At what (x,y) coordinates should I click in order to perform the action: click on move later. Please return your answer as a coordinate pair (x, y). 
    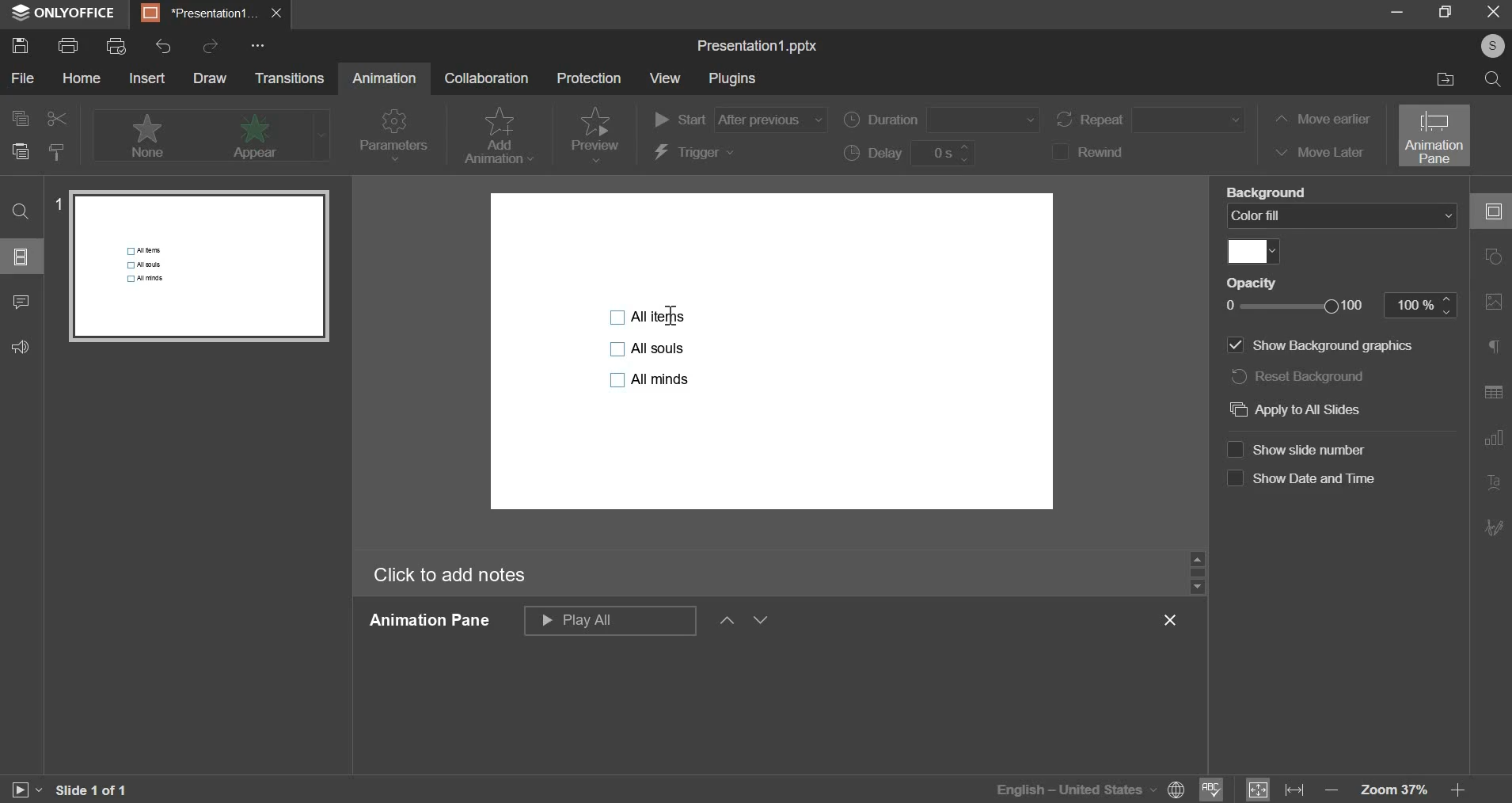
    Looking at the image, I should click on (1316, 150).